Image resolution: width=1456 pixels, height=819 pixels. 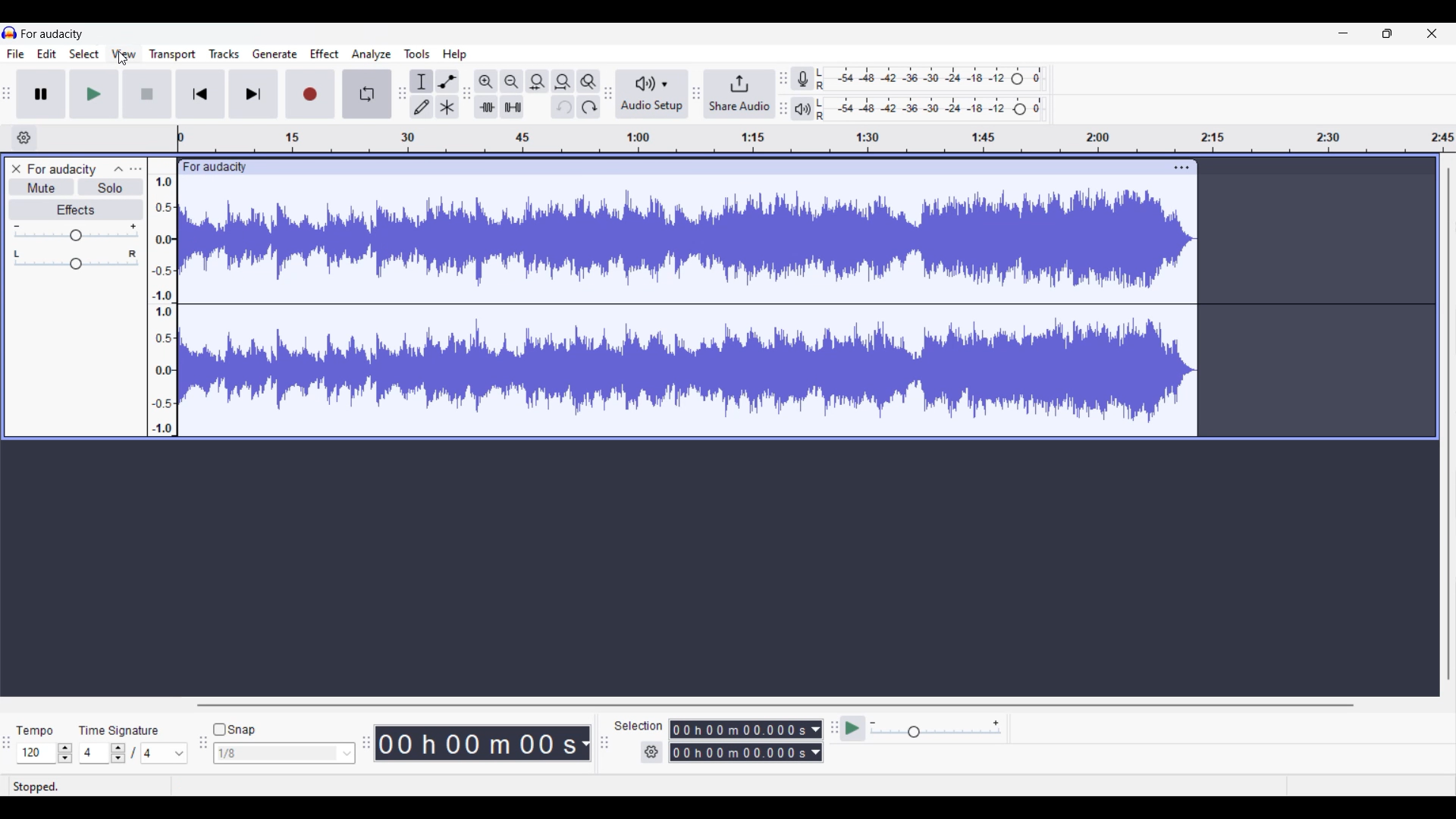 I want to click on Solo, so click(x=110, y=187).